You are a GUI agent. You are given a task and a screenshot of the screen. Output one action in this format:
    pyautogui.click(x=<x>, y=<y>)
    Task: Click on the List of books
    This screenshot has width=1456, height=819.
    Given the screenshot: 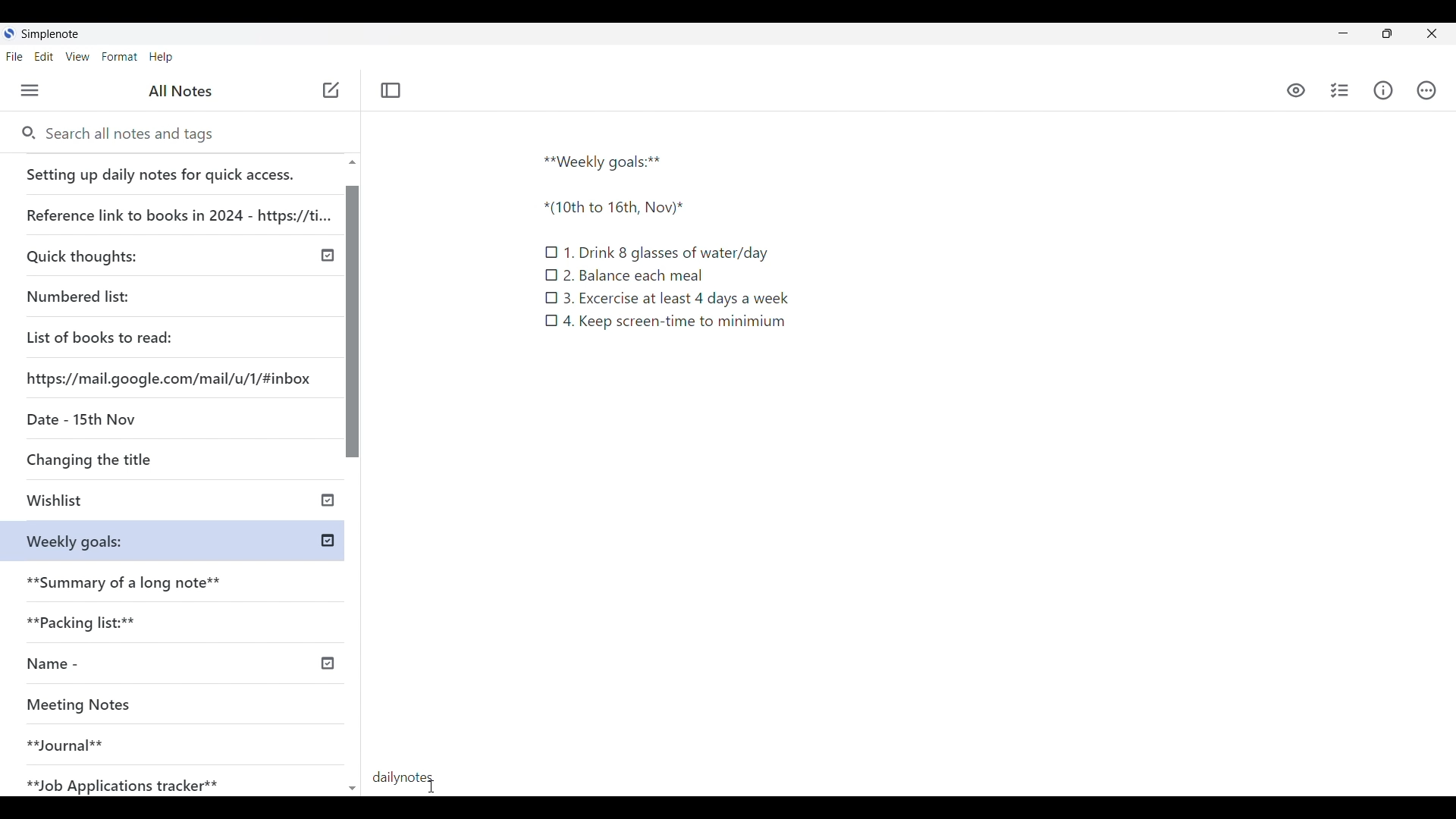 What is the action you would take?
    pyautogui.click(x=101, y=335)
    